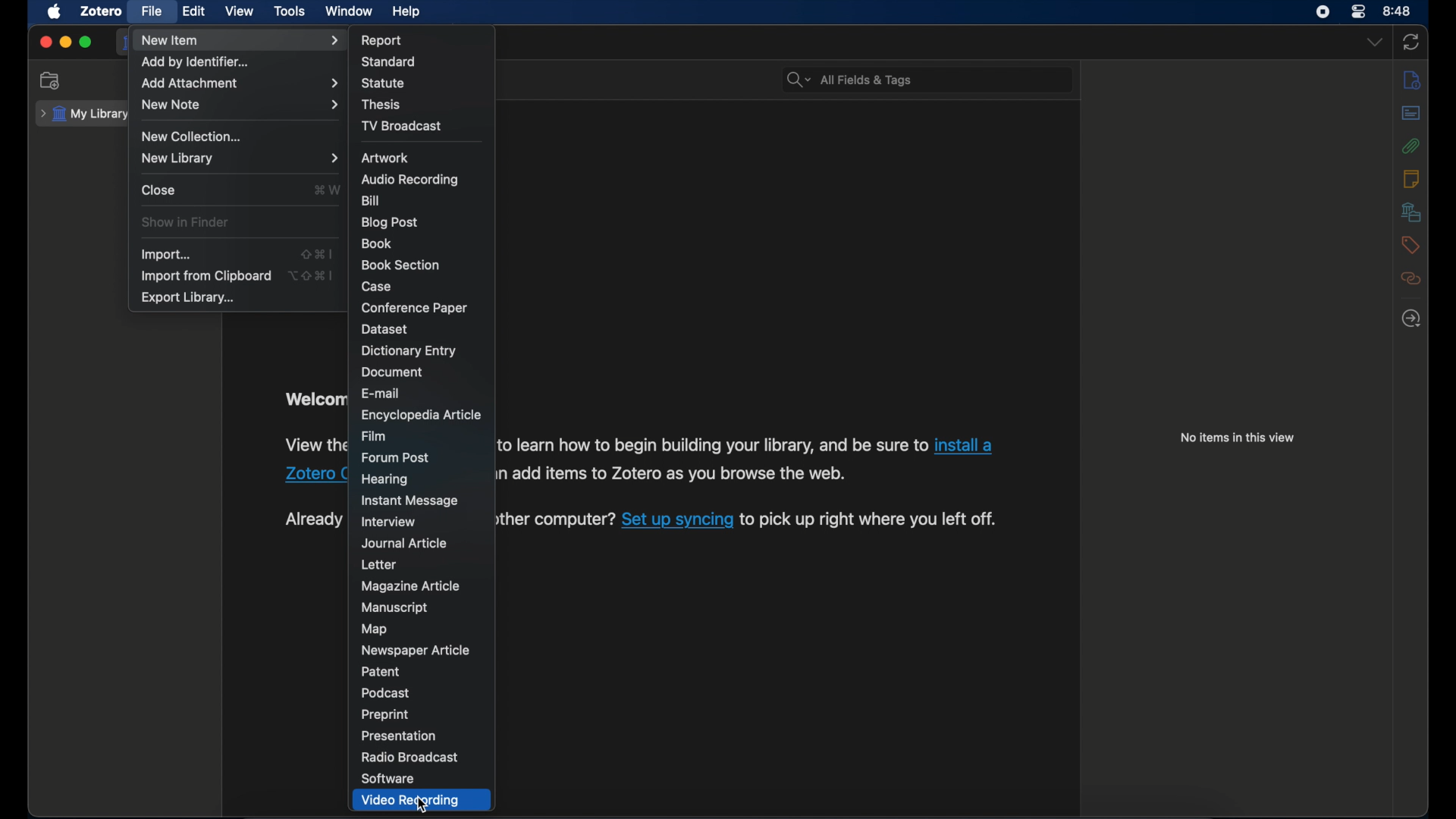 Image resolution: width=1456 pixels, height=819 pixels. I want to click on encyclopedia article, so click(422, 415).